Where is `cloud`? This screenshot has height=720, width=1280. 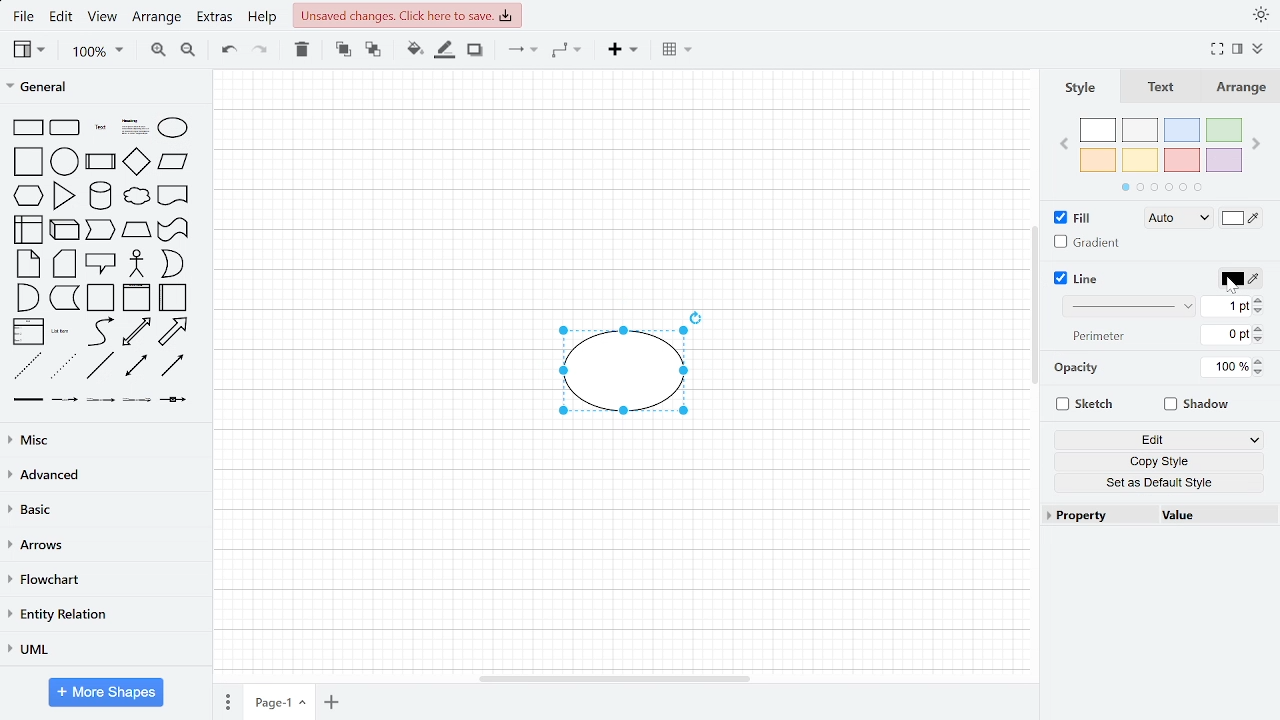
cloud is located at coordinates (137, 197).